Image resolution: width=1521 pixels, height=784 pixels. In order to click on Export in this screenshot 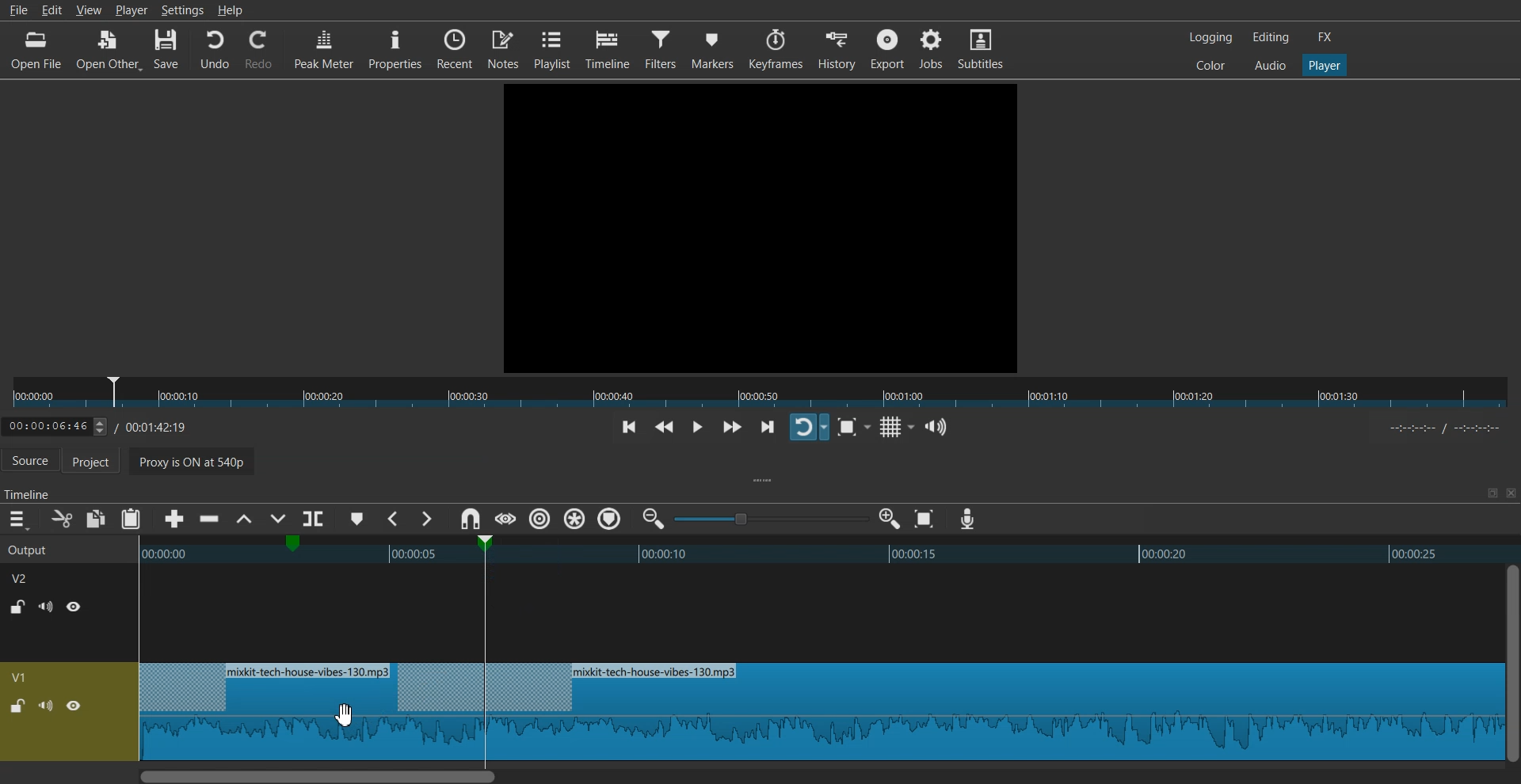, I will do `click(887, 48)`.